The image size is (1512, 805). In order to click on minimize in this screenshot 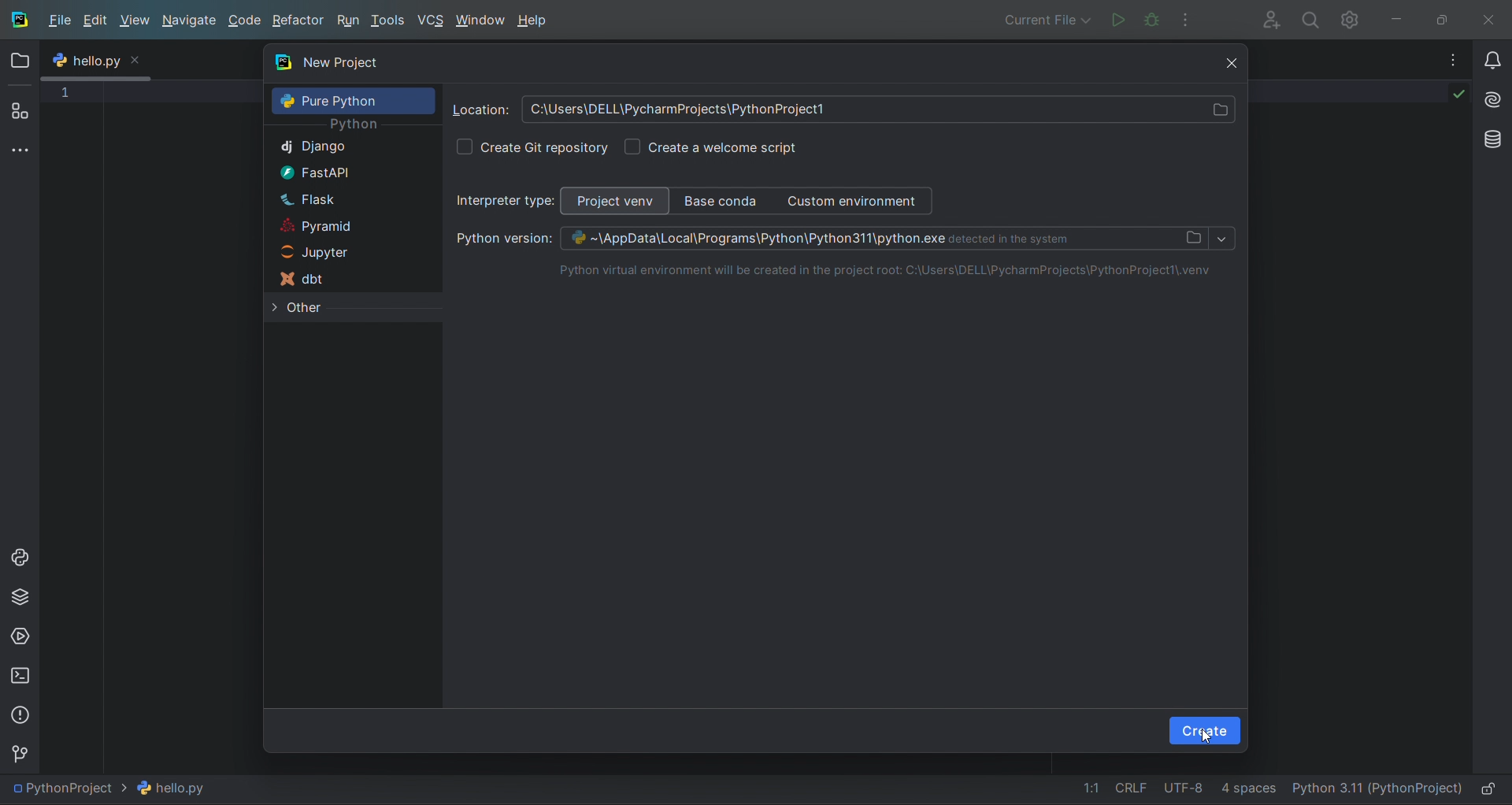, I will do `click(1405, 17)`.